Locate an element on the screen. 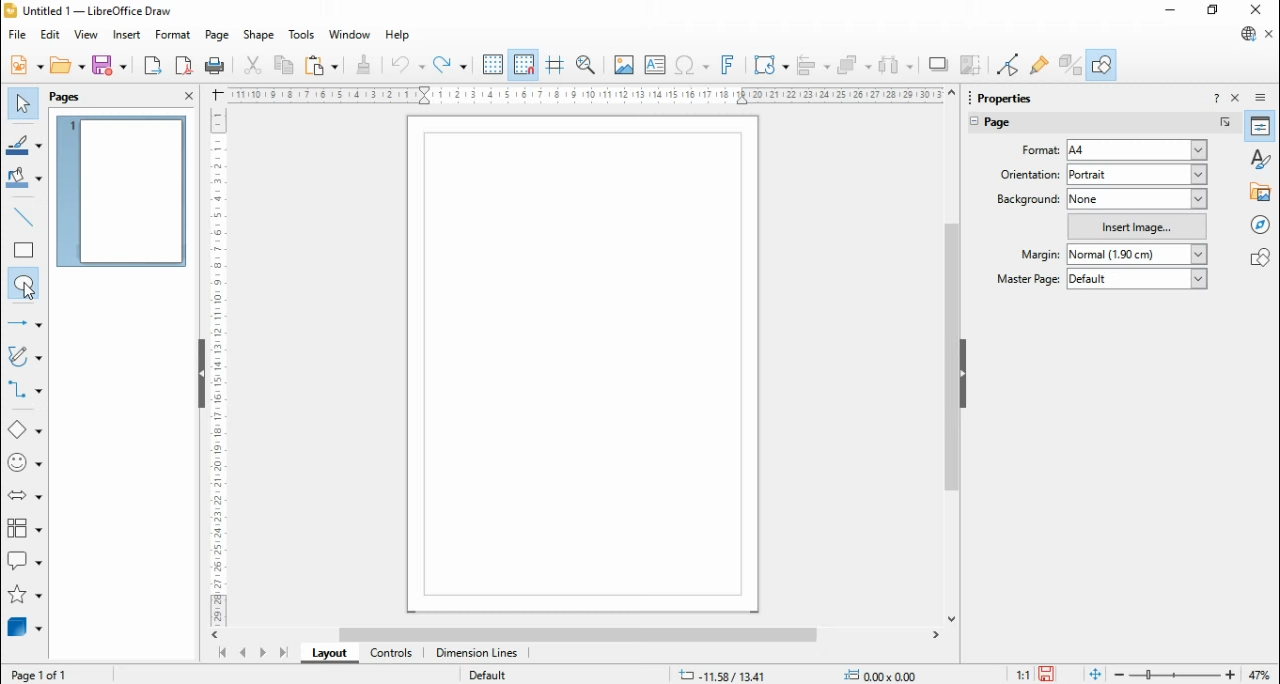 This screenshot has height=684, width=1280. export directly as PDF is located at coordinates (183, 65).